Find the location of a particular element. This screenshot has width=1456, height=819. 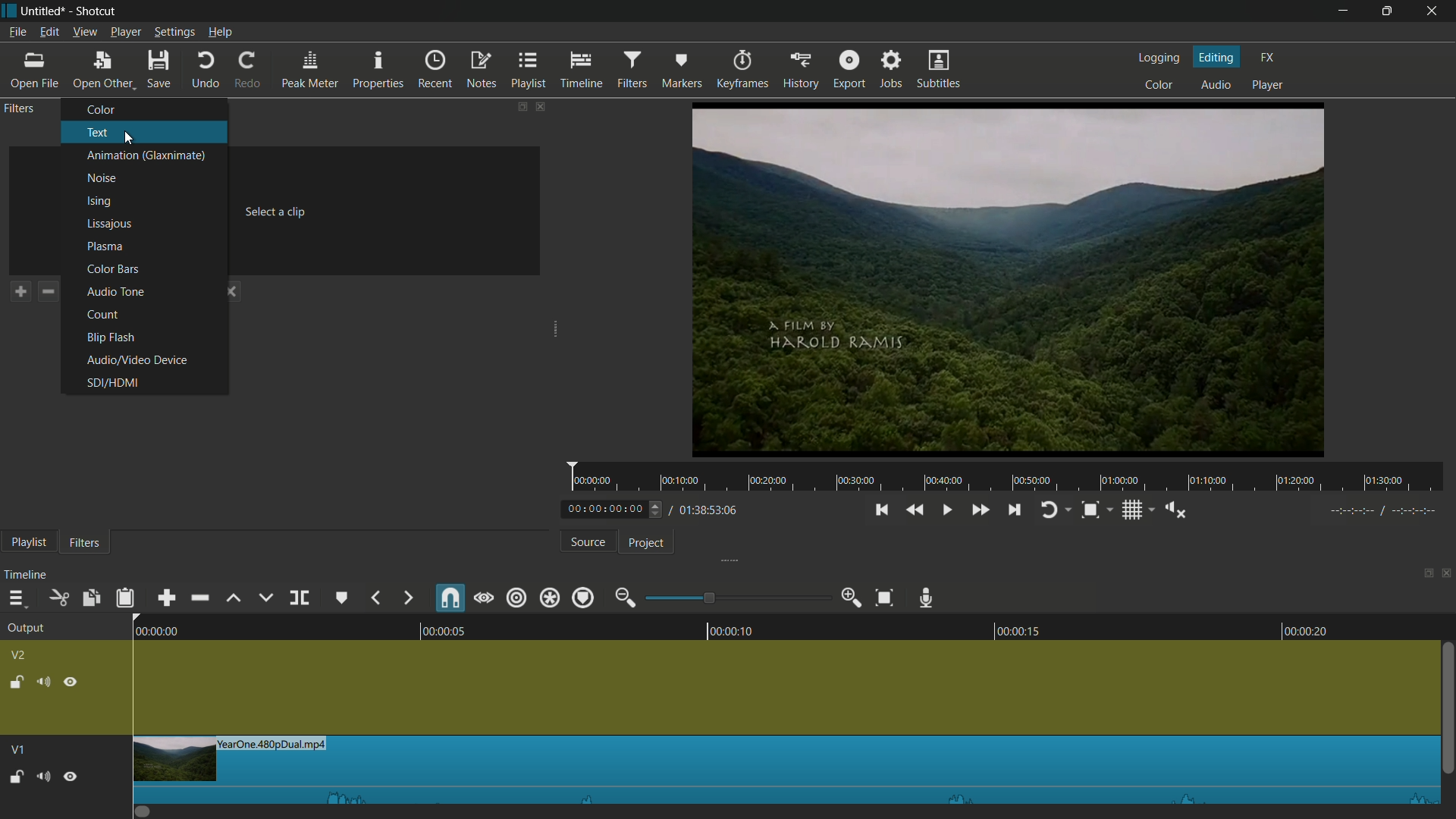

time is located at coordinates (1012, 477).